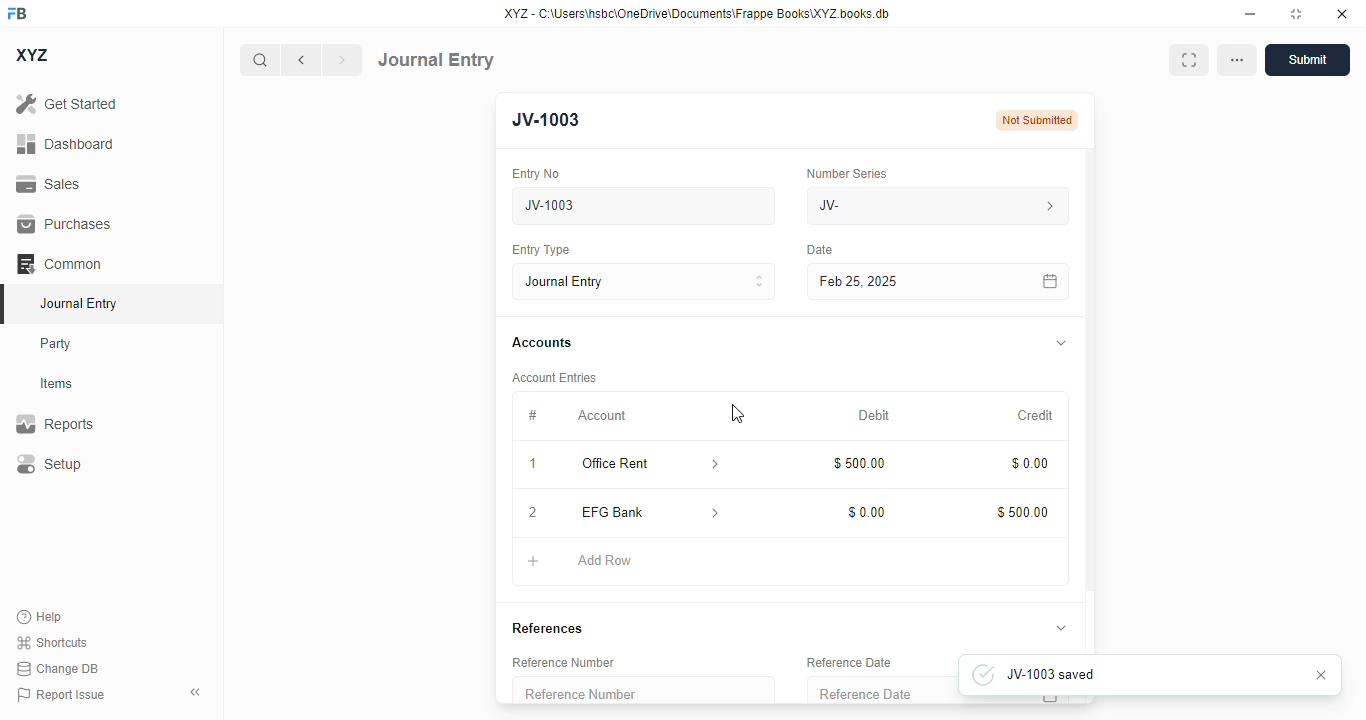 The image size is (1366, 720). I want to click on FB logo, so click(17, 12).